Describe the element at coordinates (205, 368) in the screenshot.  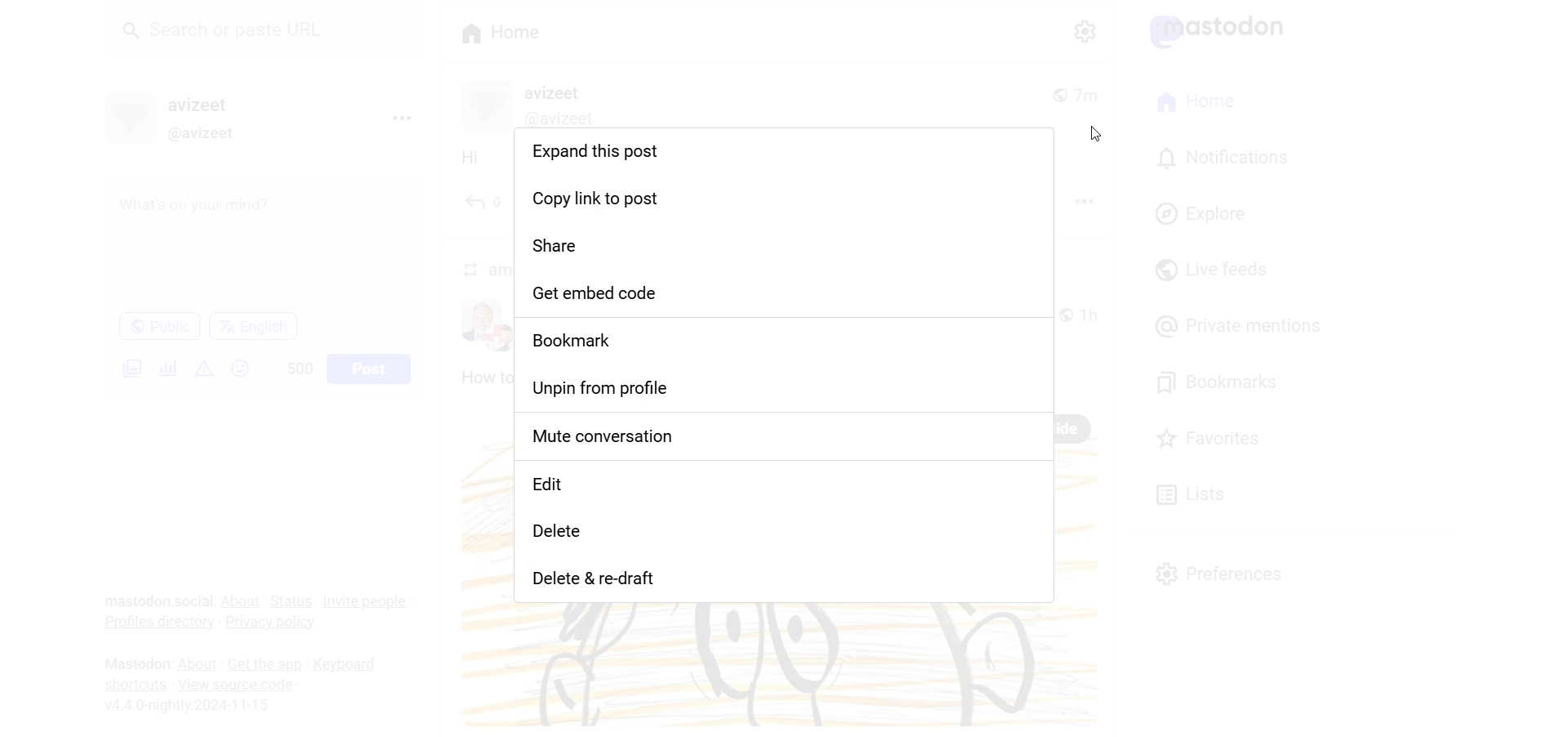
I see `Content Warning` at that location.